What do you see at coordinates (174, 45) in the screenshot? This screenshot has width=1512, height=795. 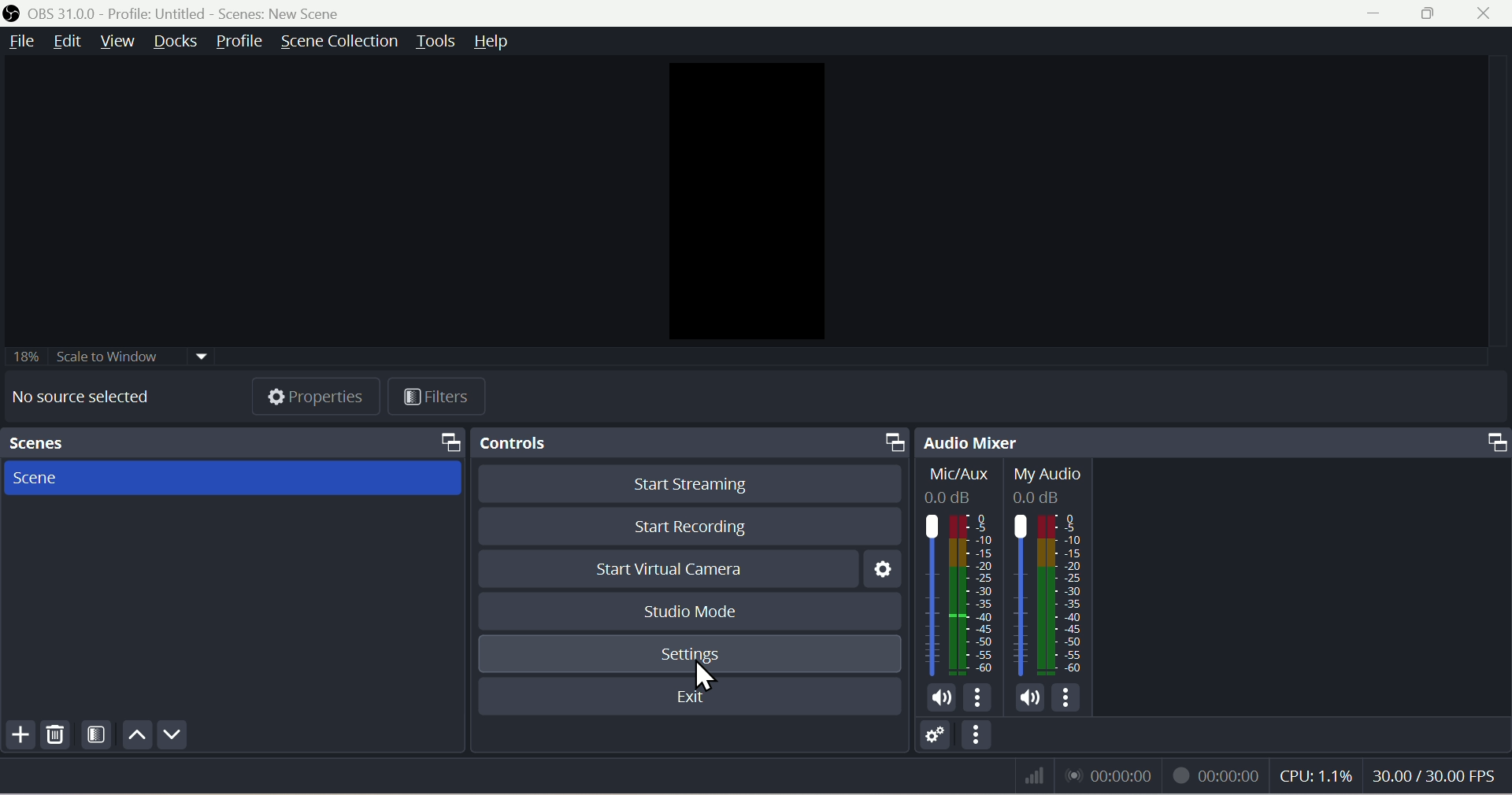 I see `Docks` at bounding box center [174, 45].